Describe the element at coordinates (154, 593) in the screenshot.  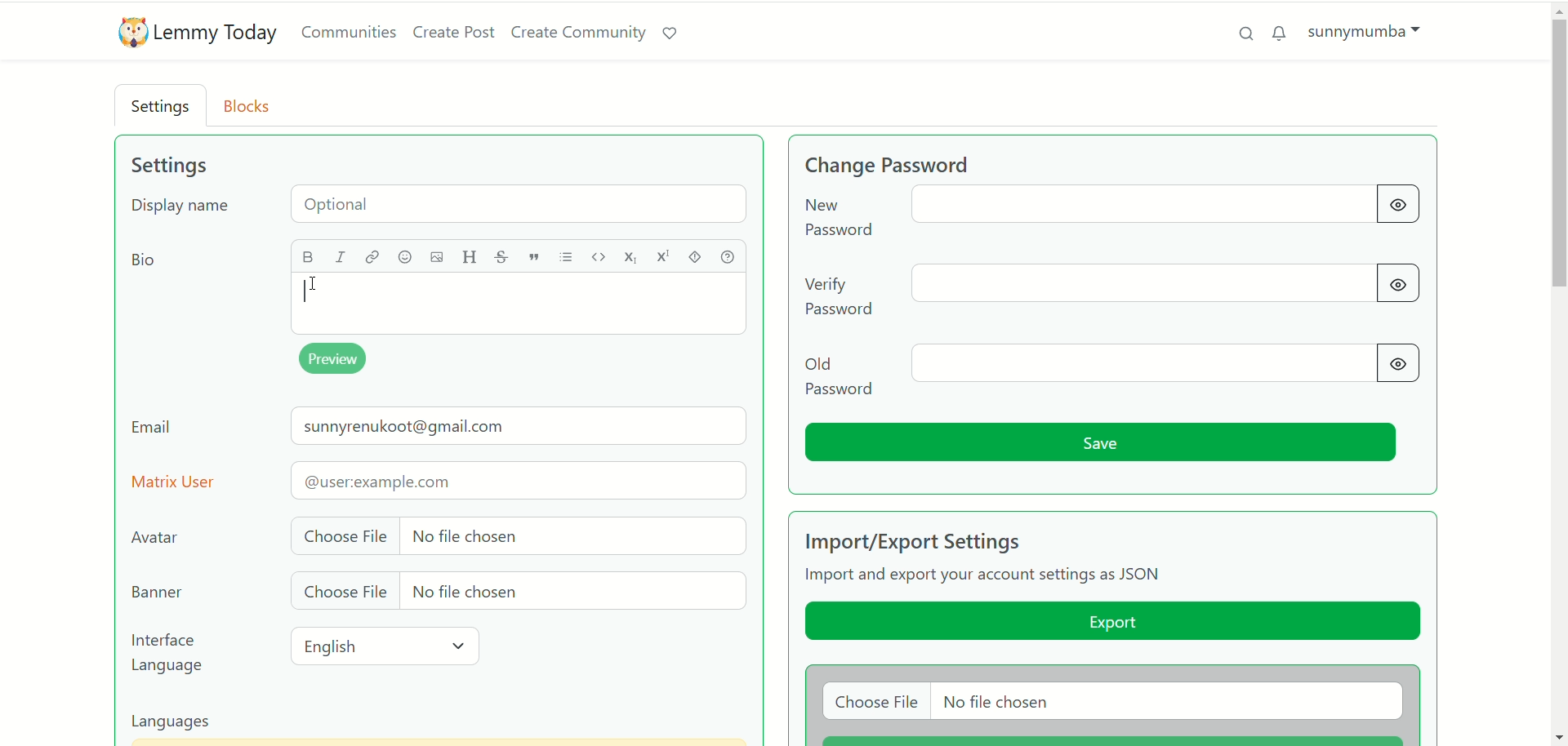
I see `banner` at that location.